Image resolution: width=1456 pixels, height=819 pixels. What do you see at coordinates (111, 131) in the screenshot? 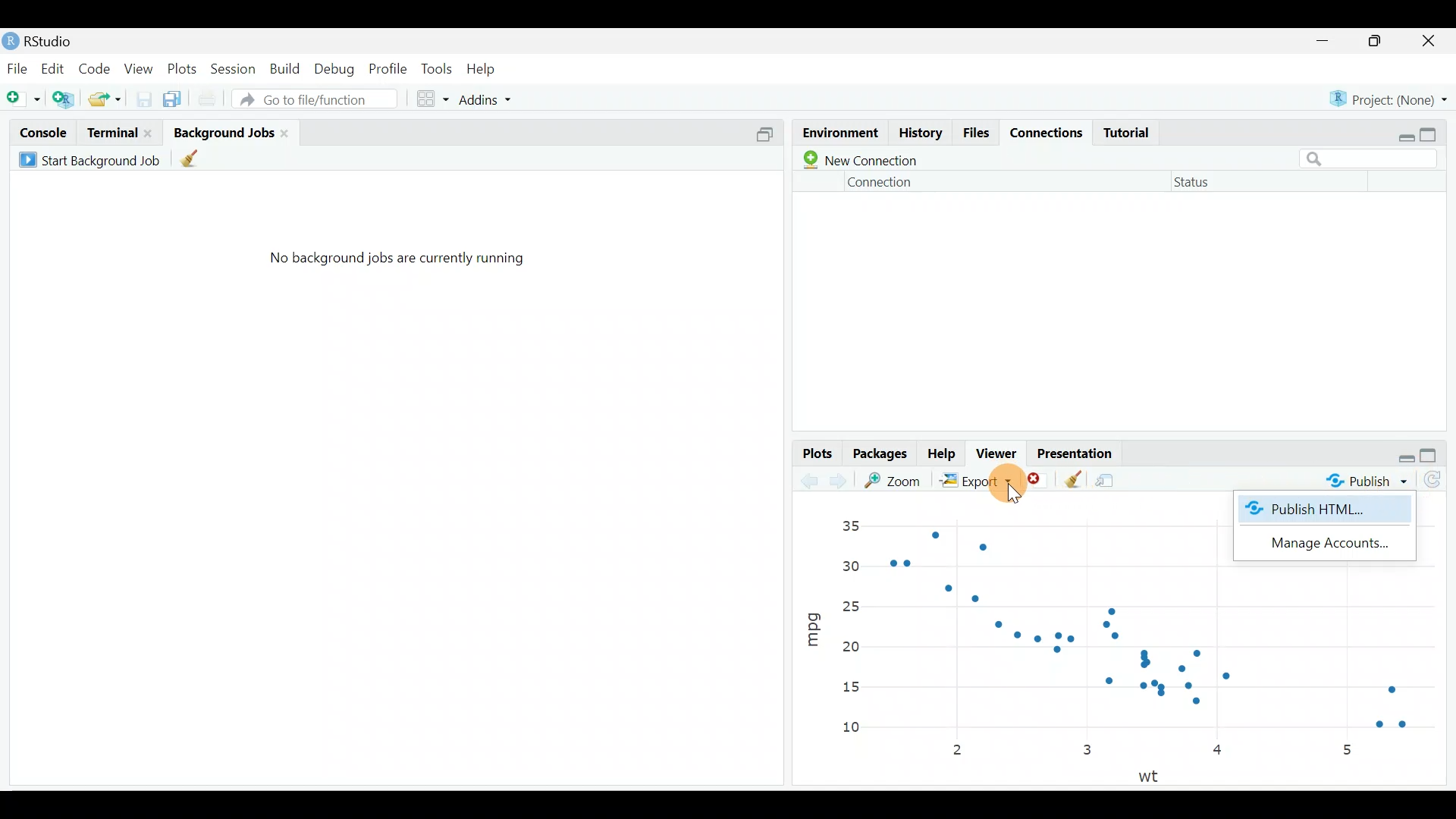
I see `Terminal` at bounding box center [111, 131].